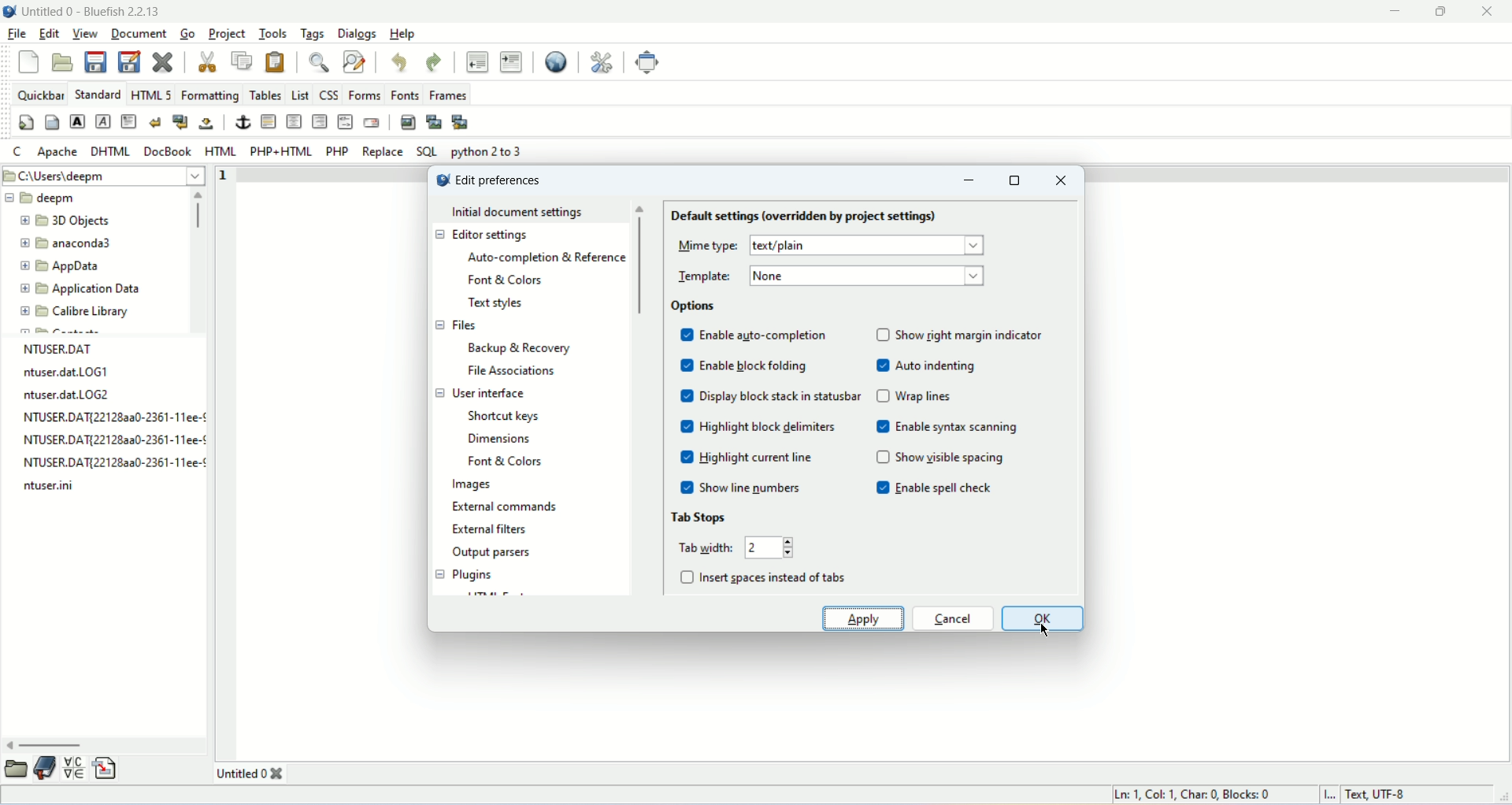  What do you see at coordinates (109, 463) in the screenshot?
I see `NTUSER.DAT{22128aa0-2361-11ee-¢` at bounding box center [109, 463].